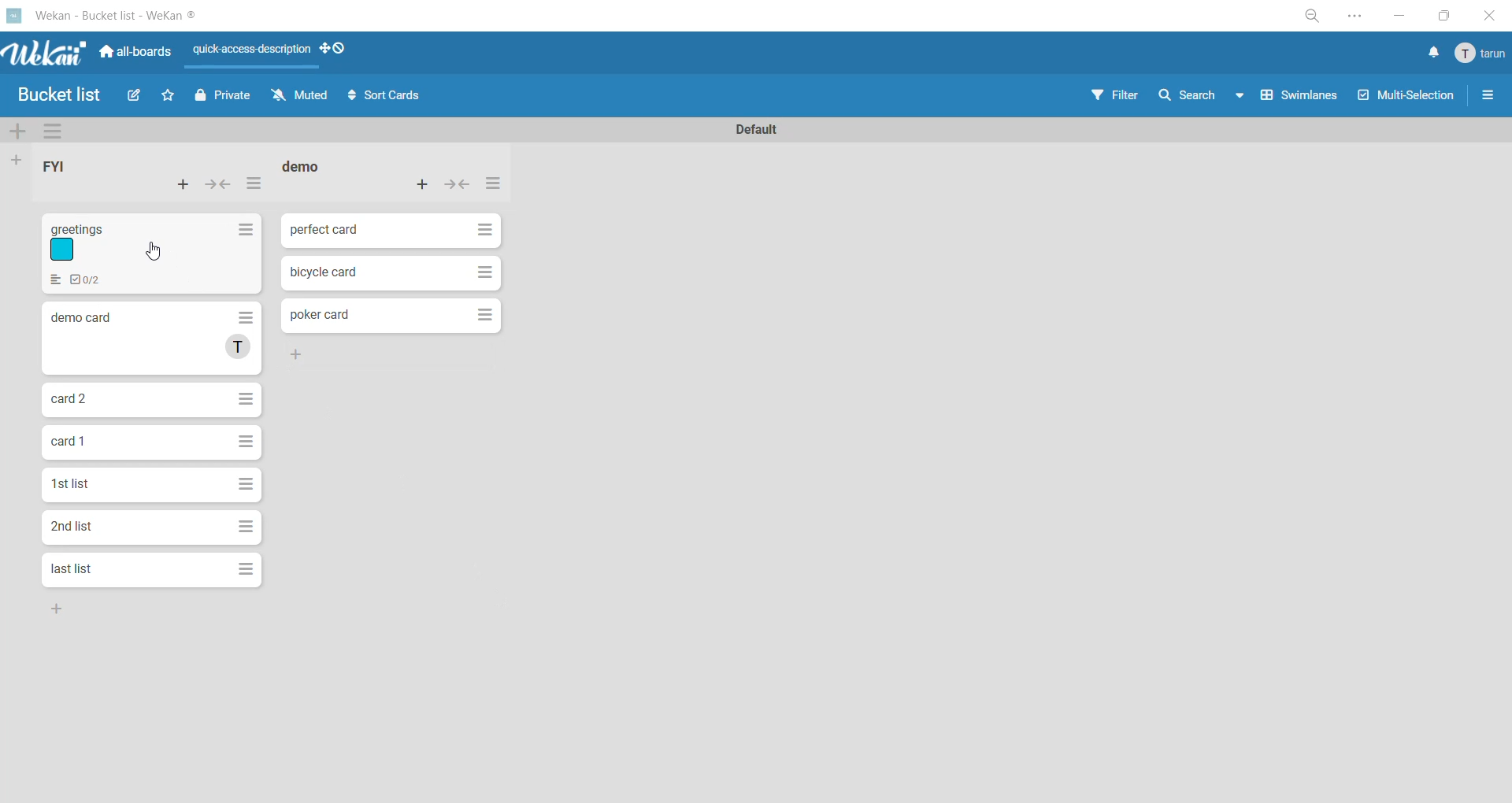 This screenshot has height=803, width=1512. I want to click on filter, so click(1111, 96).